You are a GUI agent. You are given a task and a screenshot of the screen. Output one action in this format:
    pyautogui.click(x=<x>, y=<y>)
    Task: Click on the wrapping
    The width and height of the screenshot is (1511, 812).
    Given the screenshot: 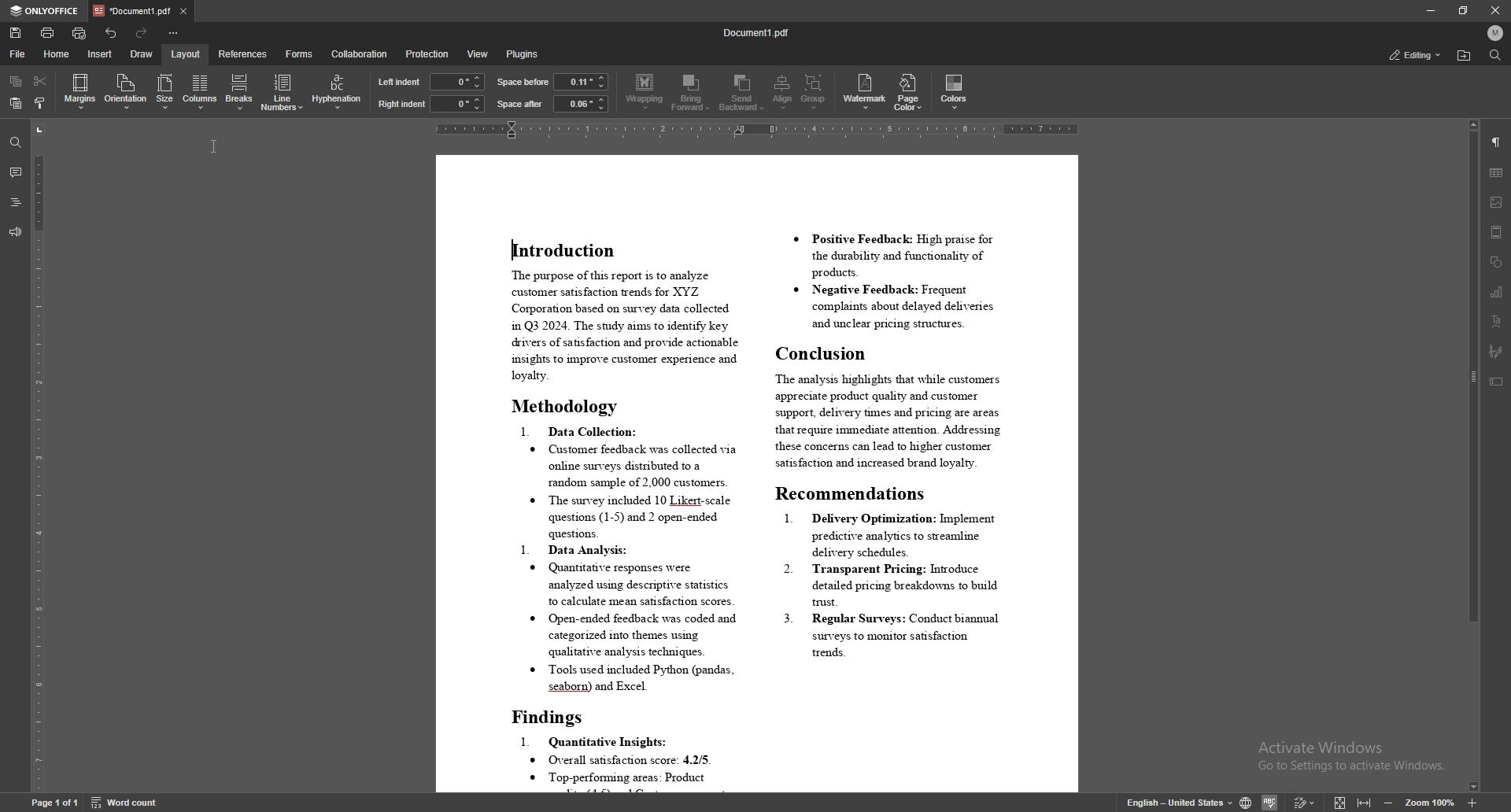 What is the action you would take?
    pyautogui.click(x=645, y=93)
    